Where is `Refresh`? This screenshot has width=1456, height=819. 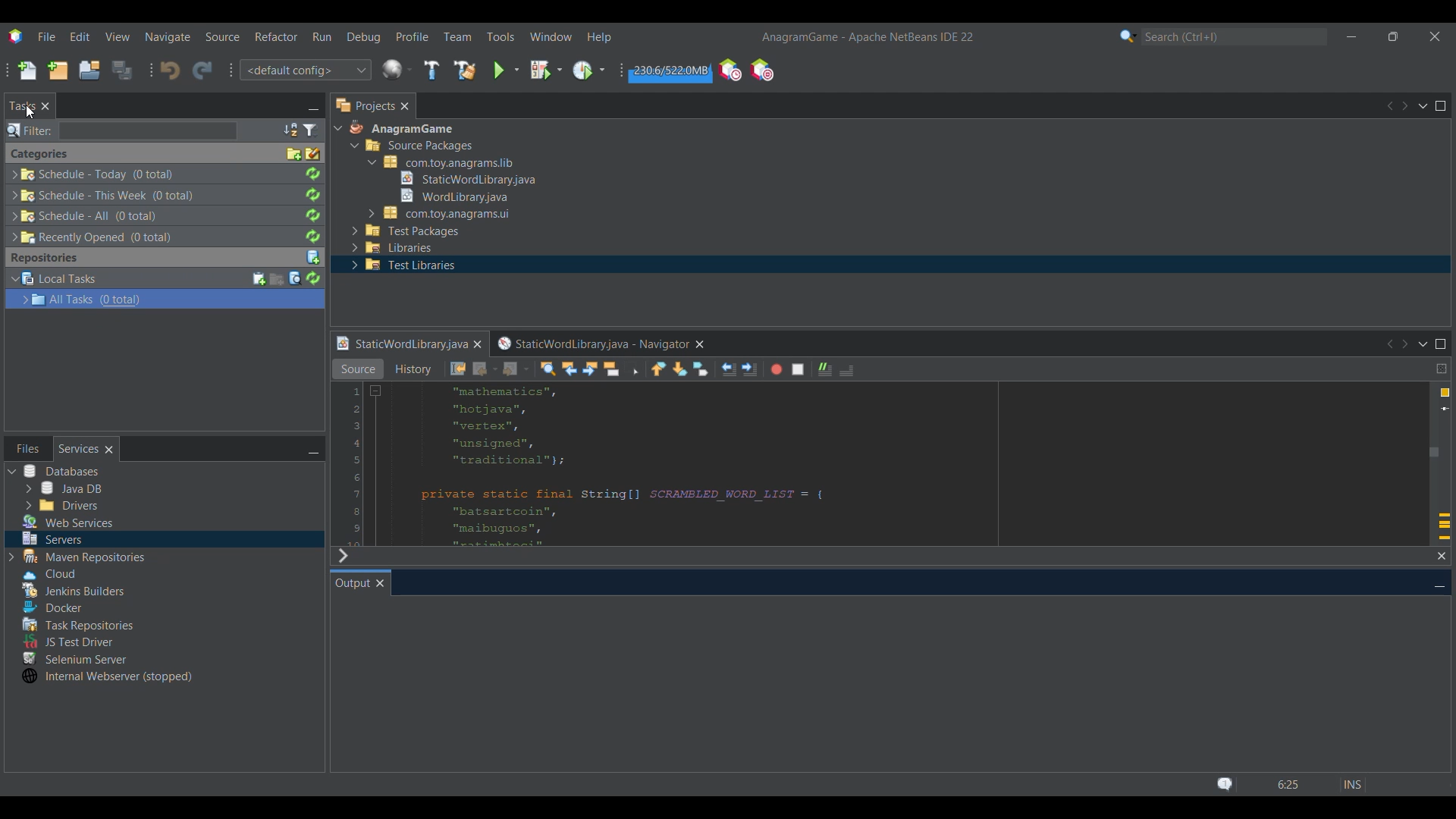 Refresh is located at coordinates (312, 278).